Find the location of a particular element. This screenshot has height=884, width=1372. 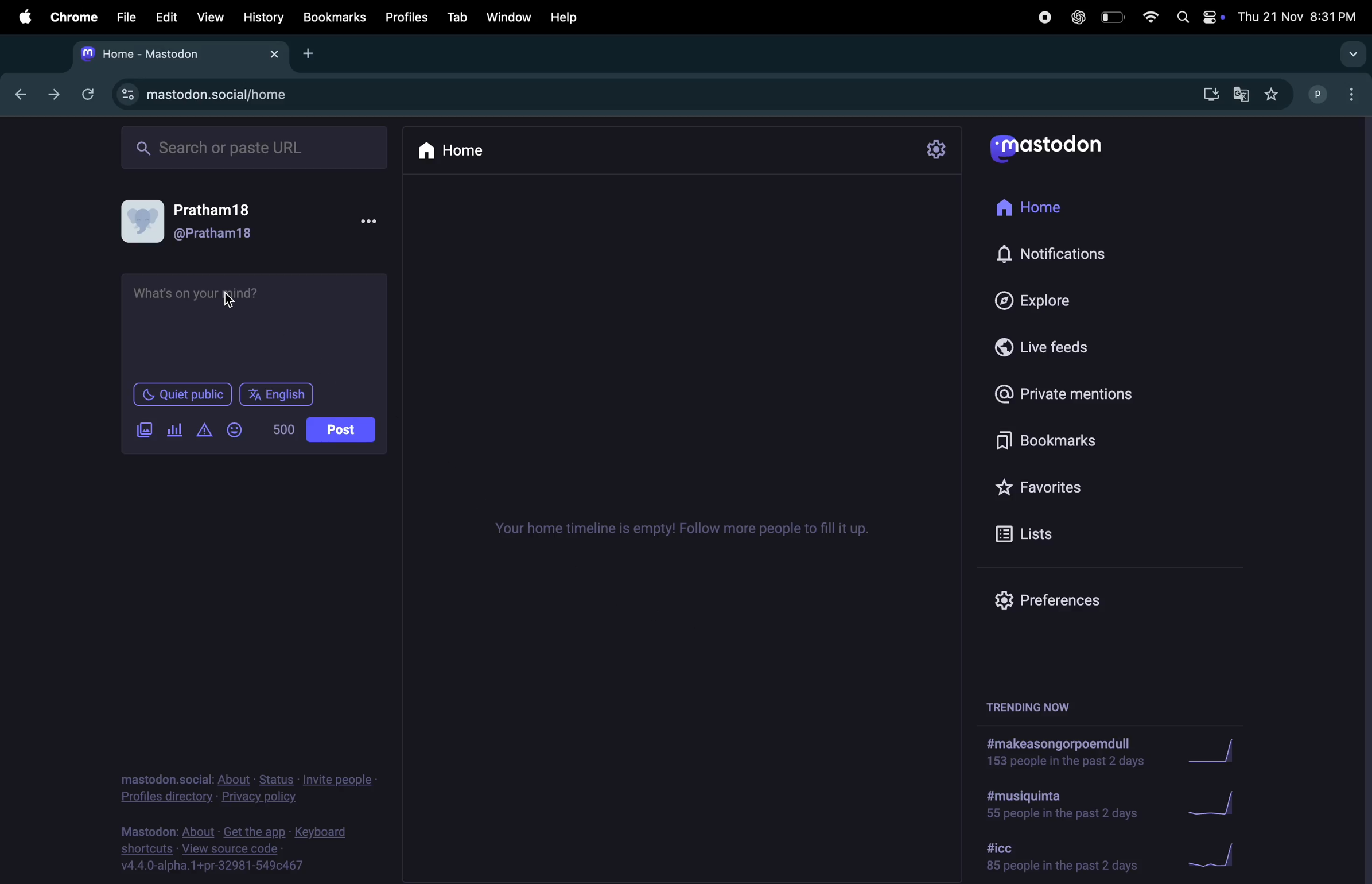

refresh is located at coordinates (83, 94).